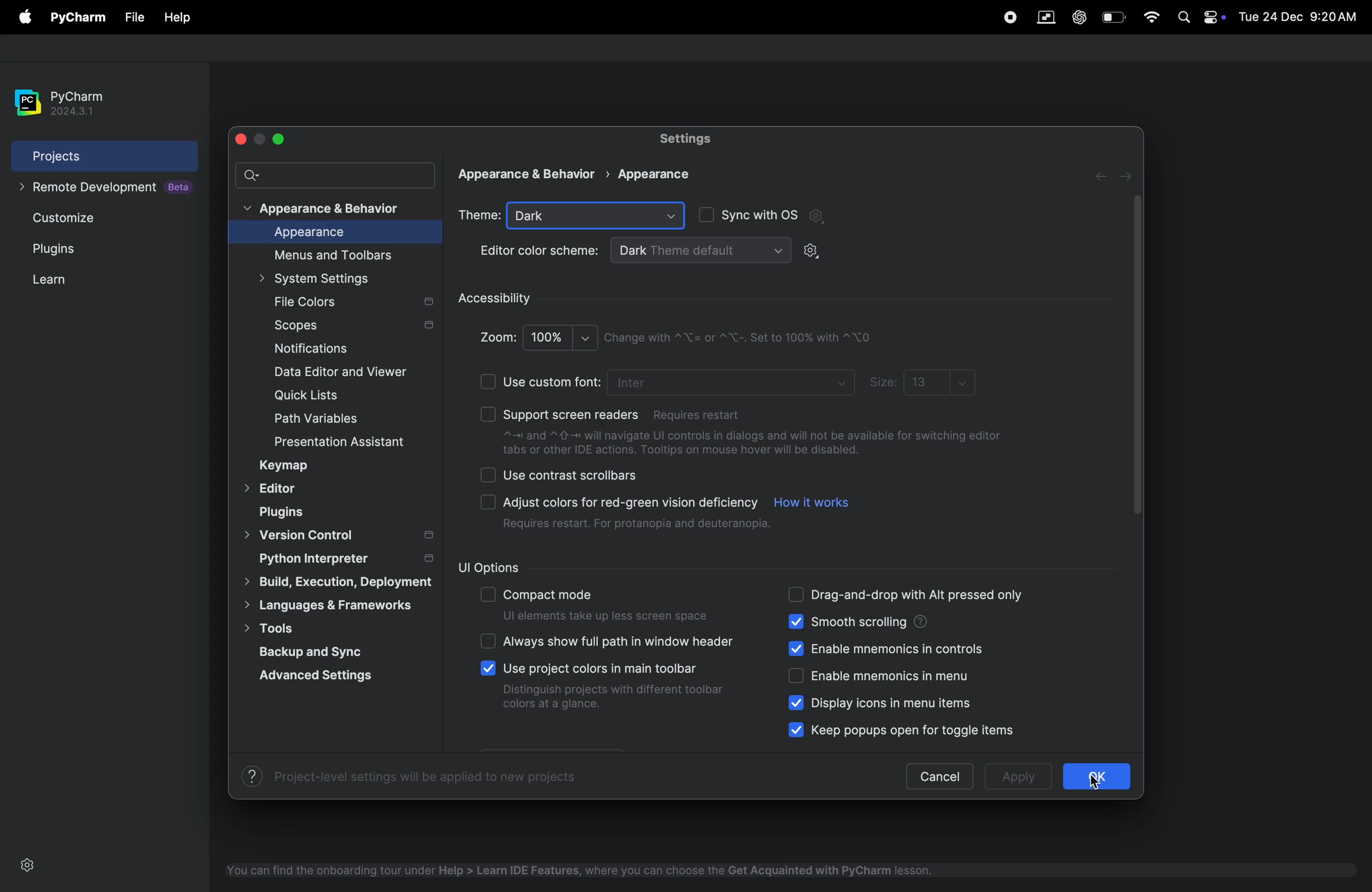 The width and height of the screenshot is (1372, 892). Describe the element at coordinates (898, 647) in the screenshot. I see `enable memonics` at that location.